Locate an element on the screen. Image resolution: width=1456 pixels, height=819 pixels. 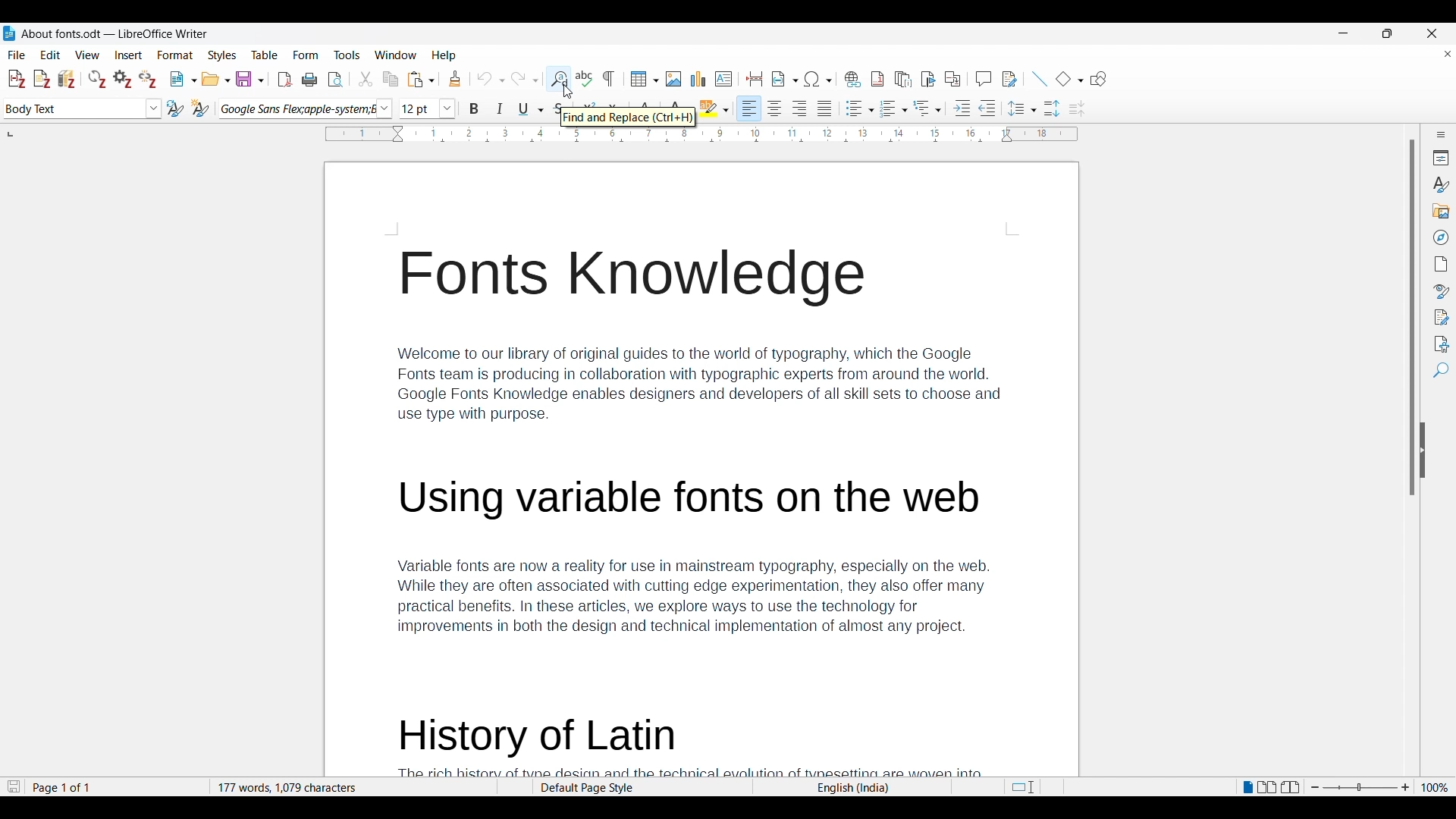
Edit menu is located at coordinates (51, 55).